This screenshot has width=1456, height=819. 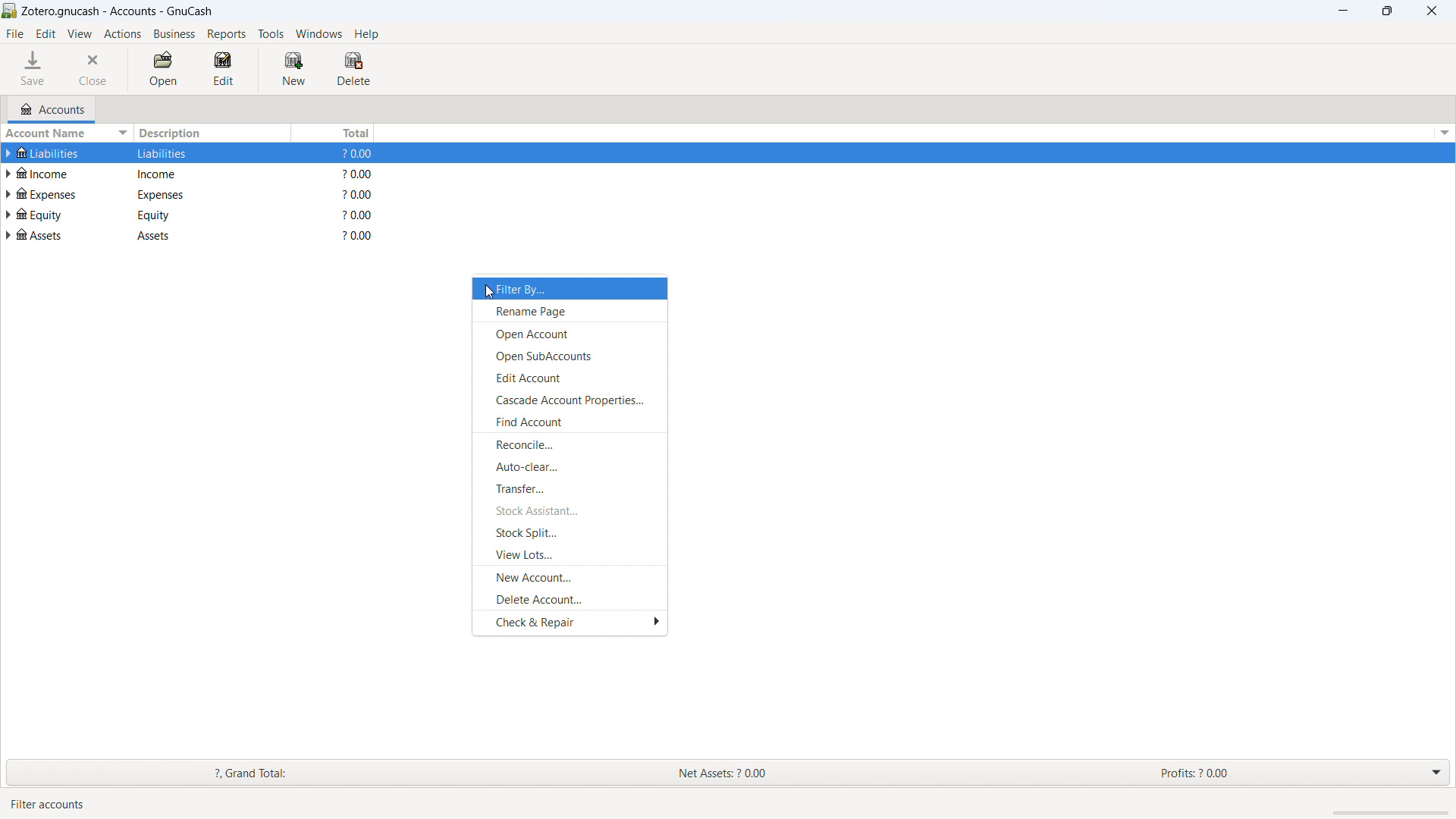 I want to click on description, so click(x=212, y=133).